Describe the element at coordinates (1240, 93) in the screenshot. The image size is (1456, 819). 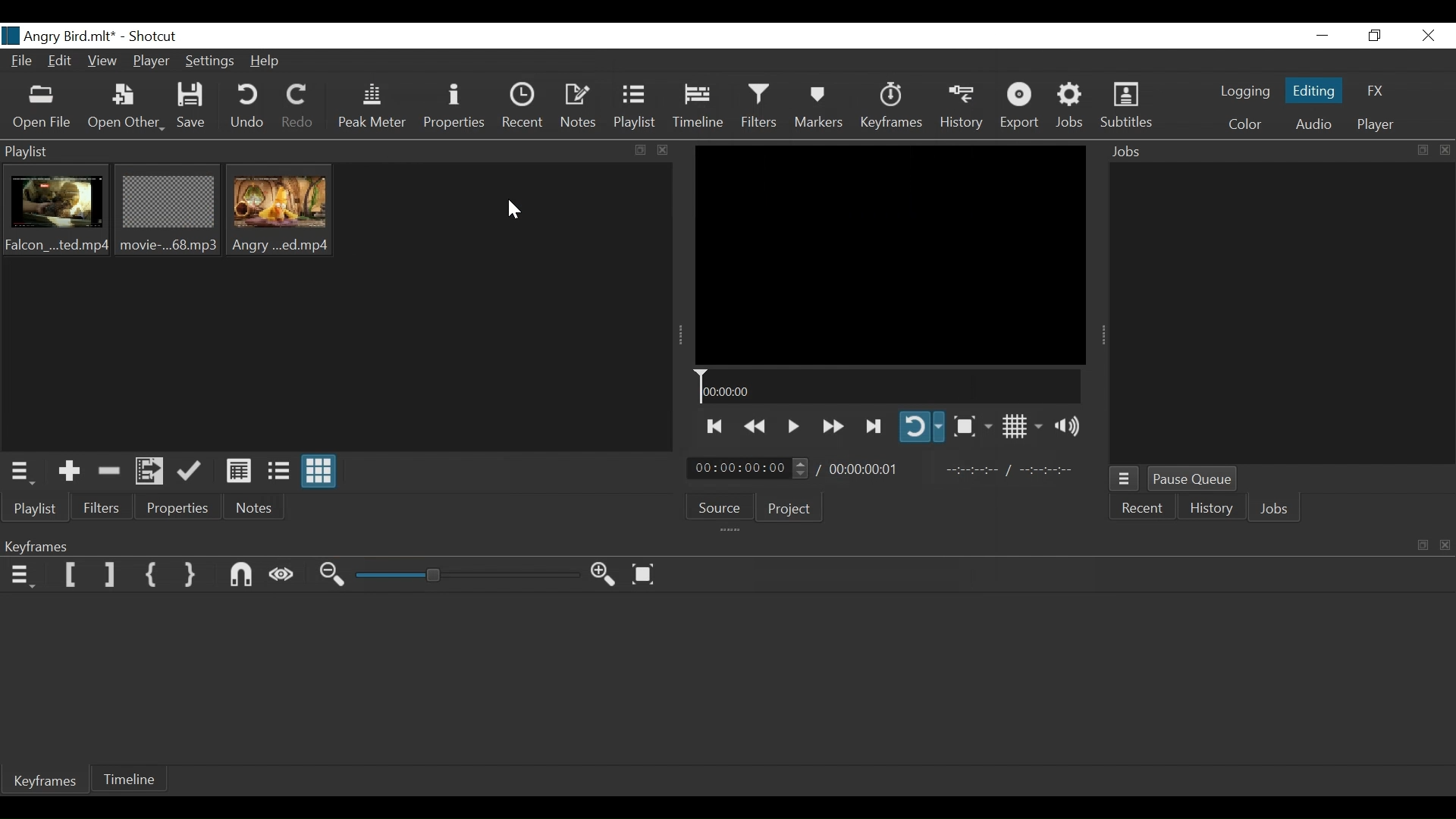
I see `logging` at that location.